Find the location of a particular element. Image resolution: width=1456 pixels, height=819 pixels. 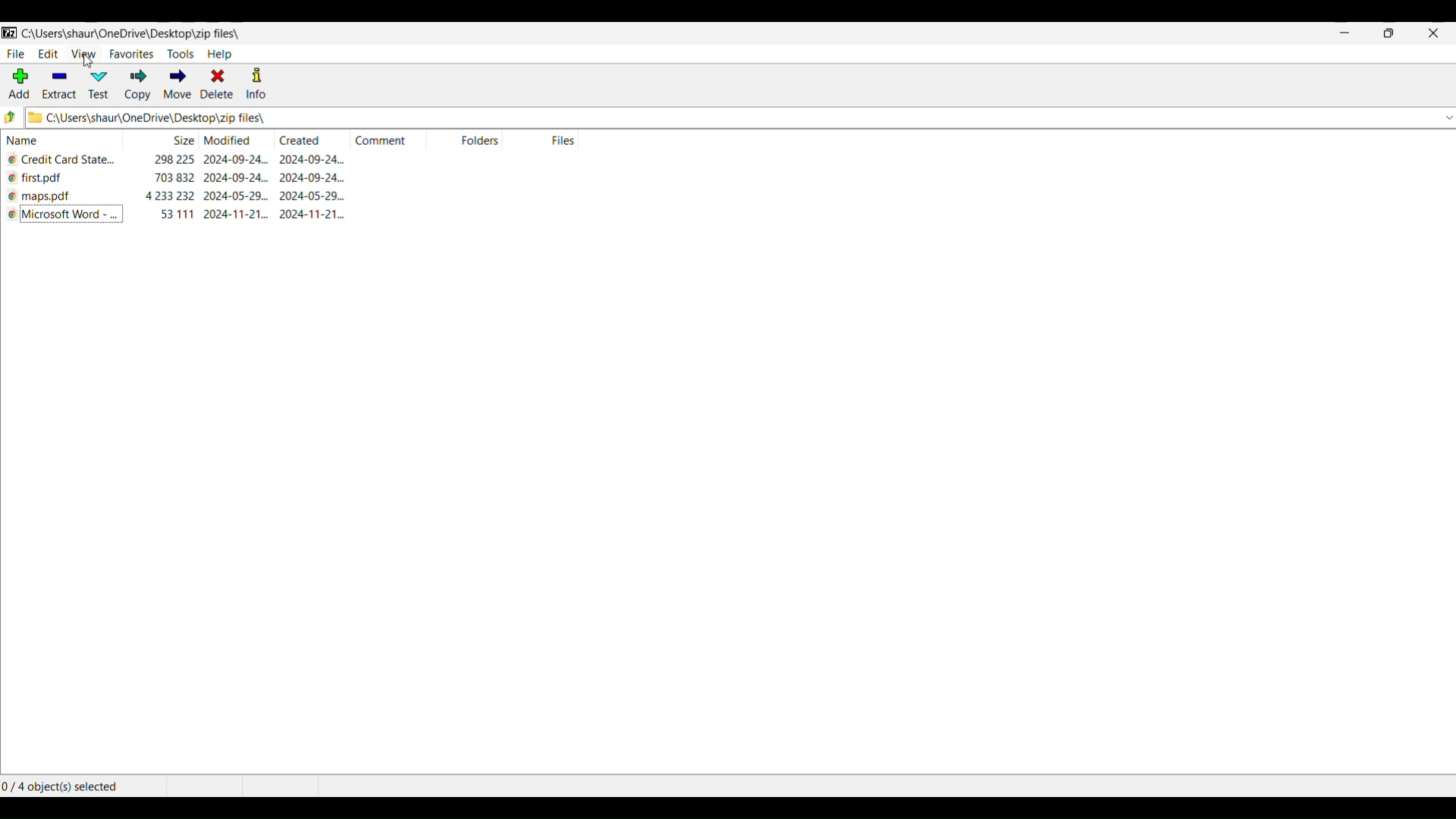

maximize is located at coordinates (1391, 33).